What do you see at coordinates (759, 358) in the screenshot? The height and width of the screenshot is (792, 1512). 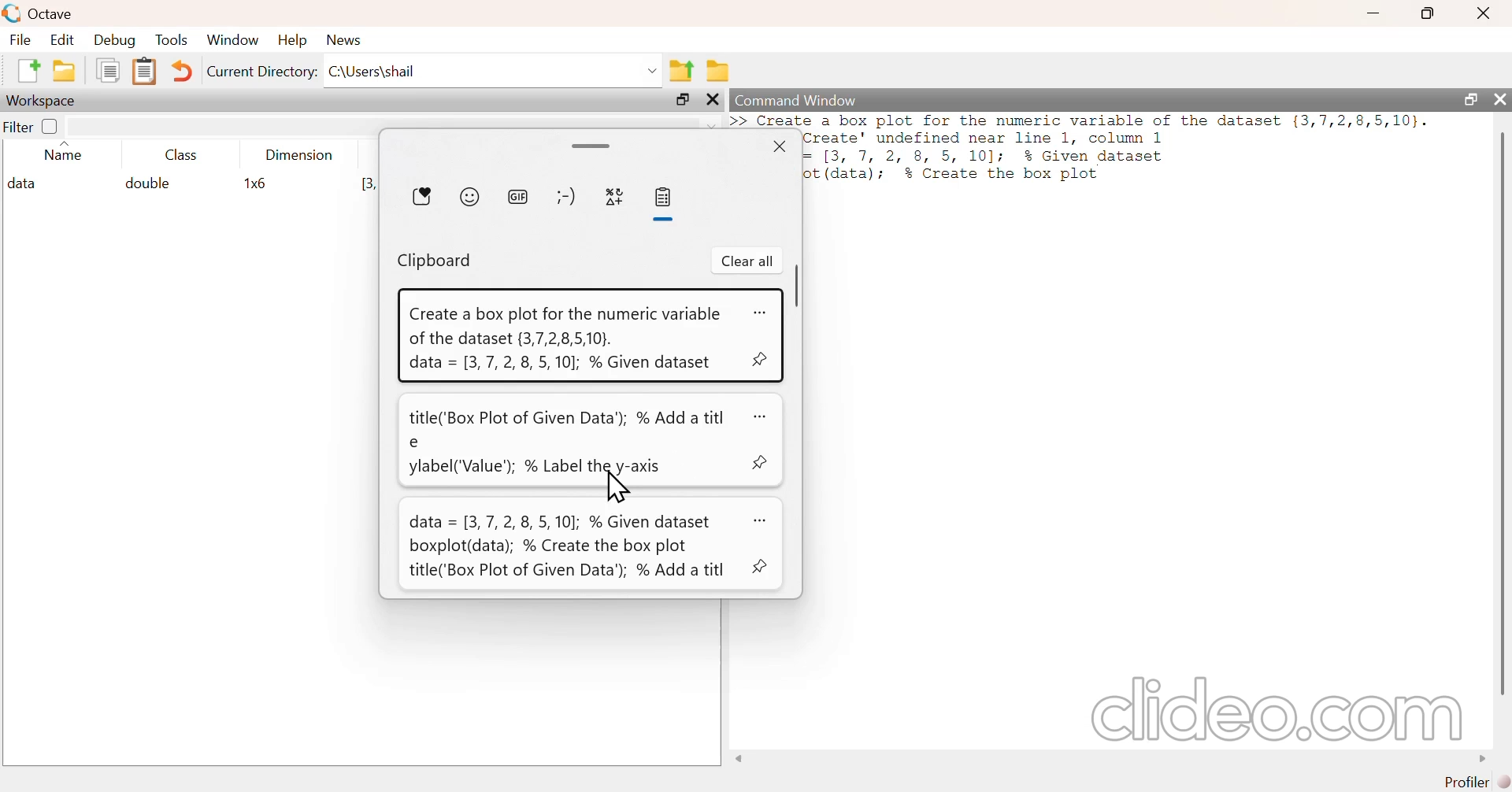 I see `pin` at bounding box center [759, 358].